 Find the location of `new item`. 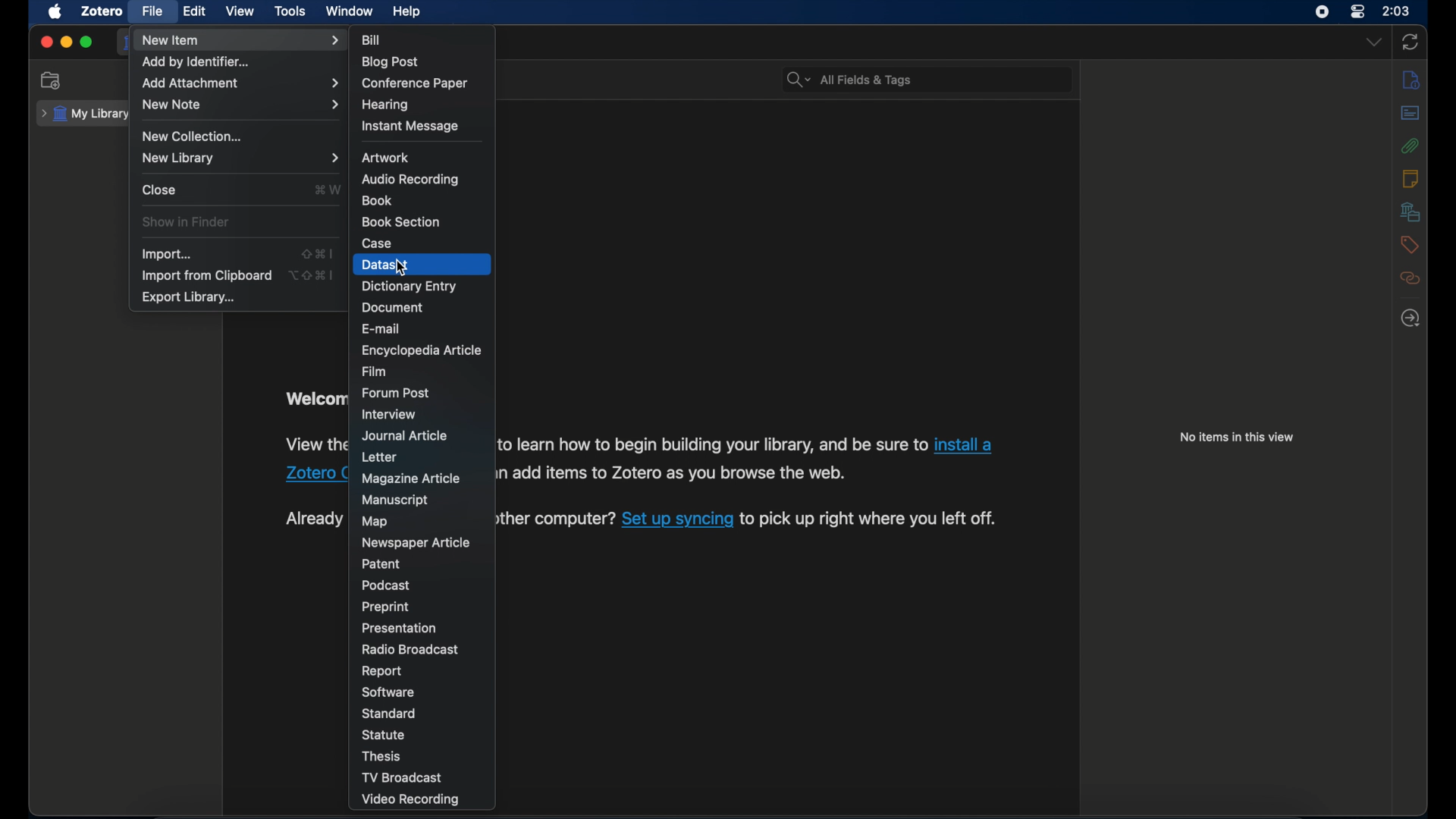

new item is located at coordinates (242, 40).